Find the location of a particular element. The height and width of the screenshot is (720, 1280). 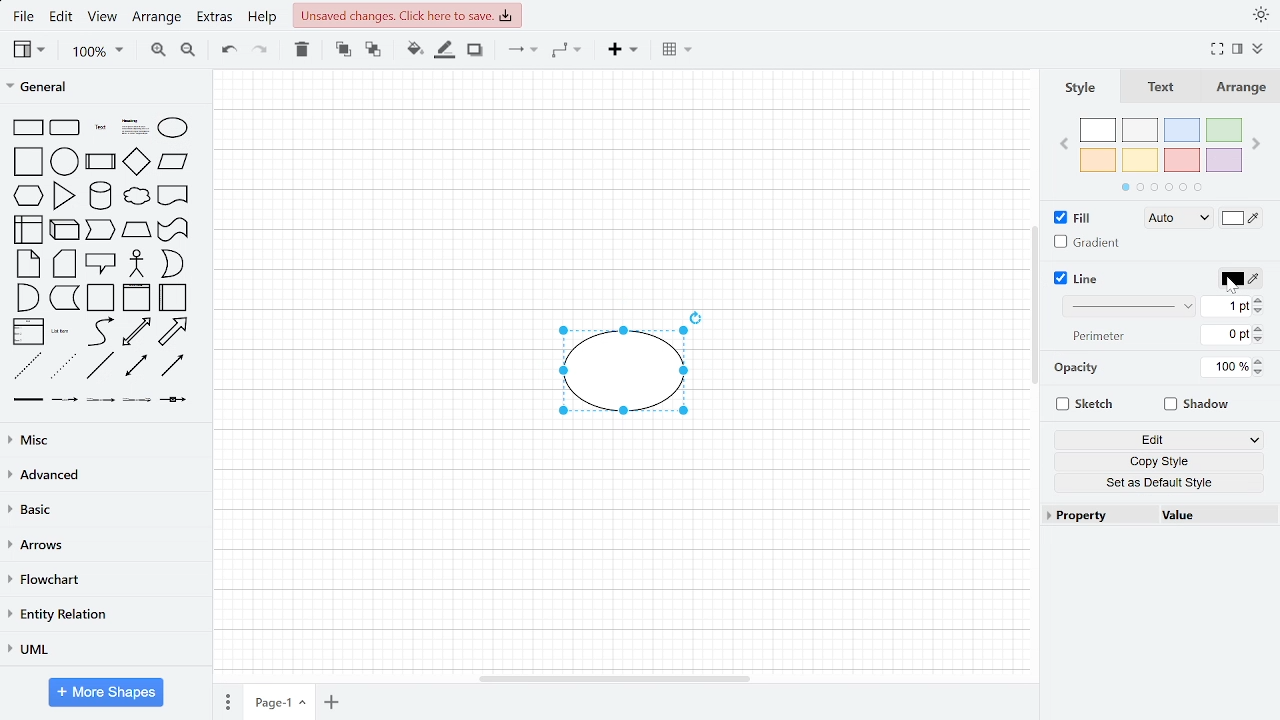

dashed line is located at coordinates (26, 365).